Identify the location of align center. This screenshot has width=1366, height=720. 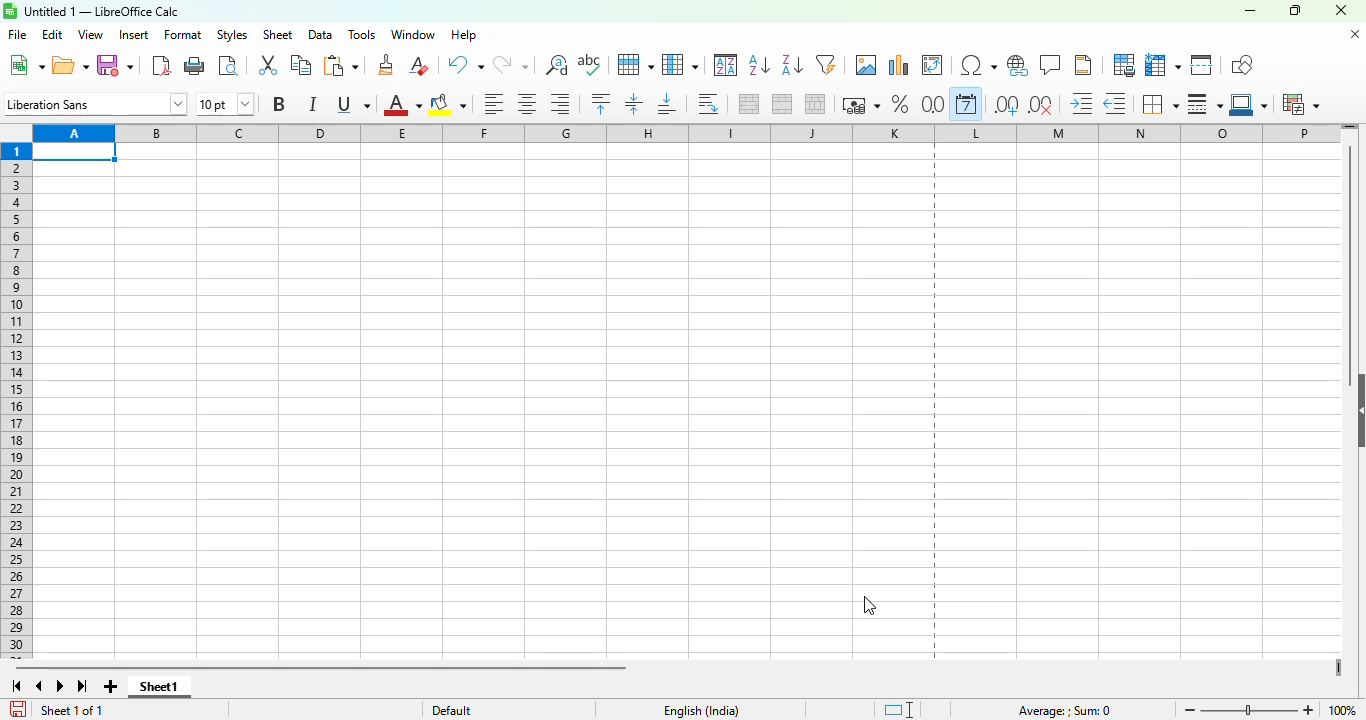
(528, 105).